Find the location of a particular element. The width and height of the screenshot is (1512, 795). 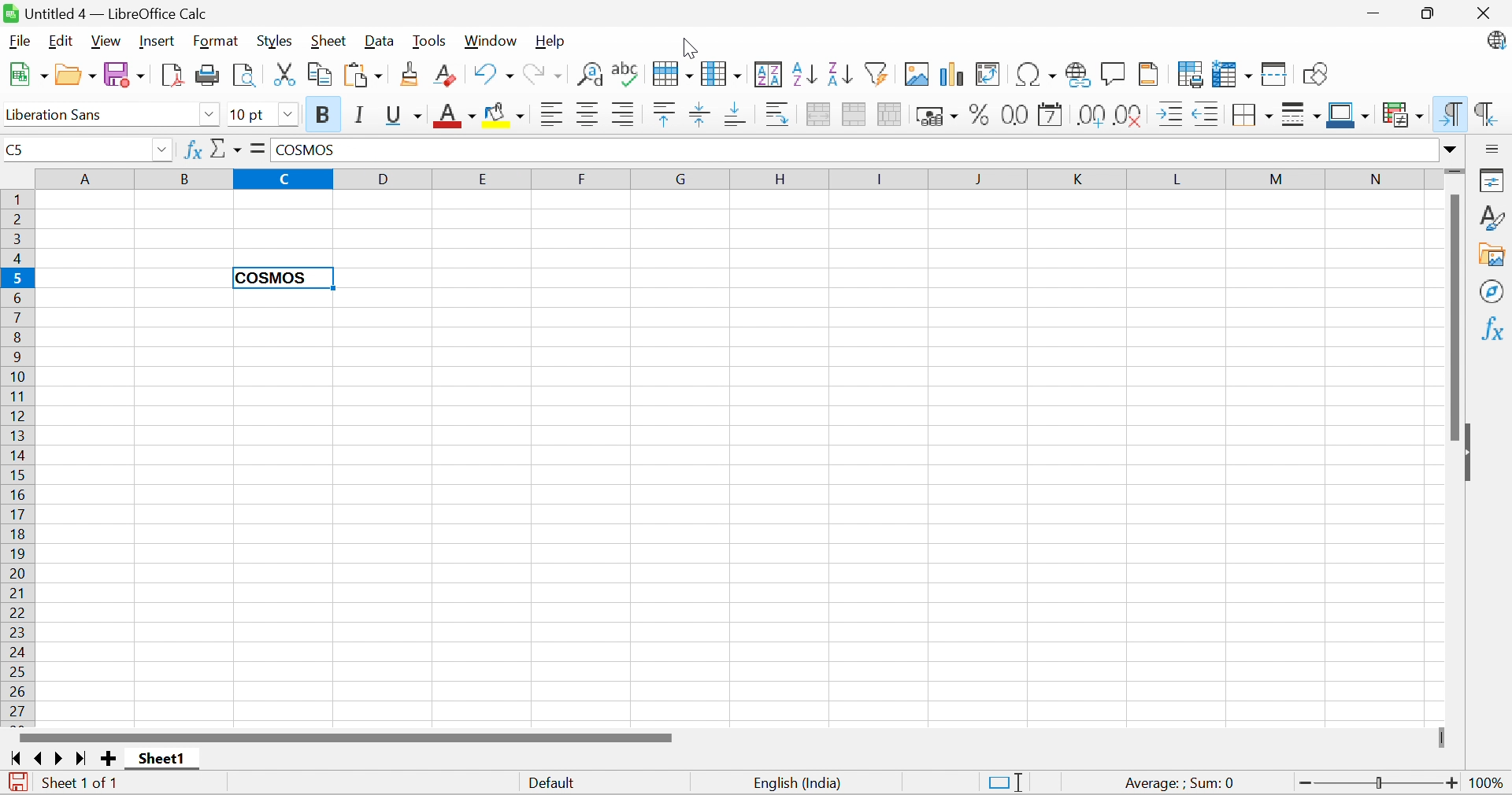

Window is located at coordinates (494, 40).